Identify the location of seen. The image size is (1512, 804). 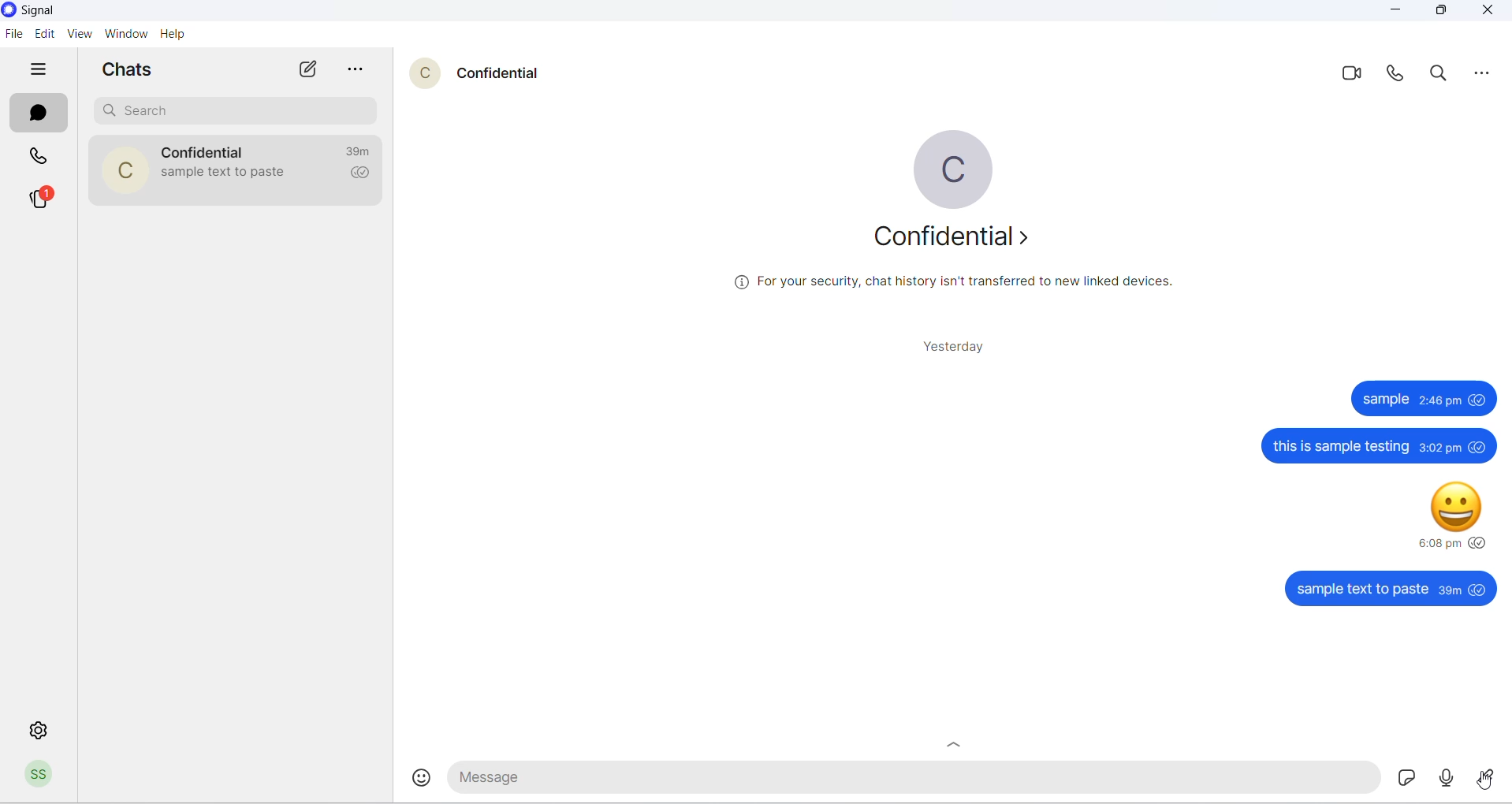
(1479, 589).